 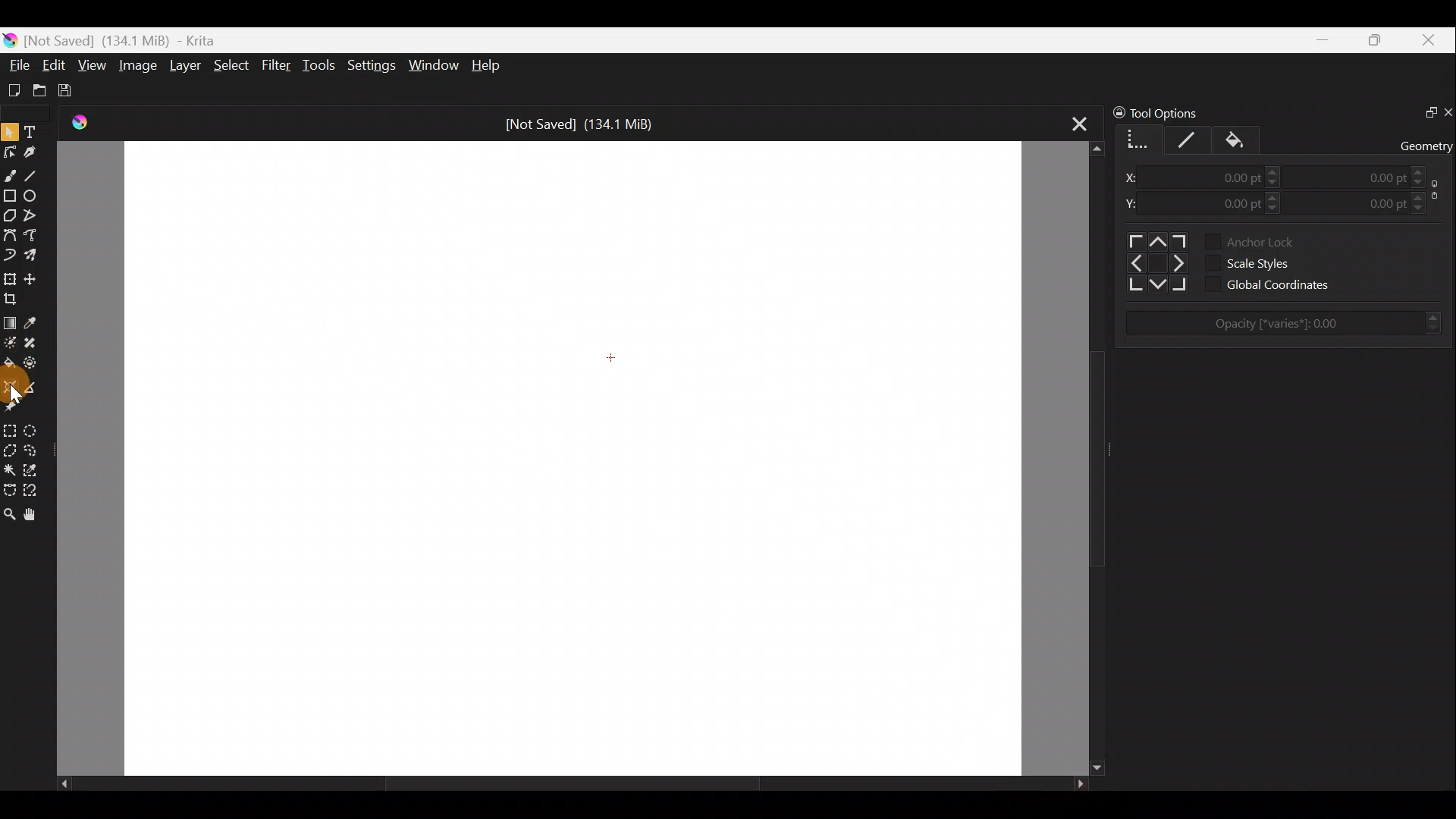 What do you see at coordinates (1251, 265) in the screenshot?
I see `Scale styles` at bounding box center [1251, 265].